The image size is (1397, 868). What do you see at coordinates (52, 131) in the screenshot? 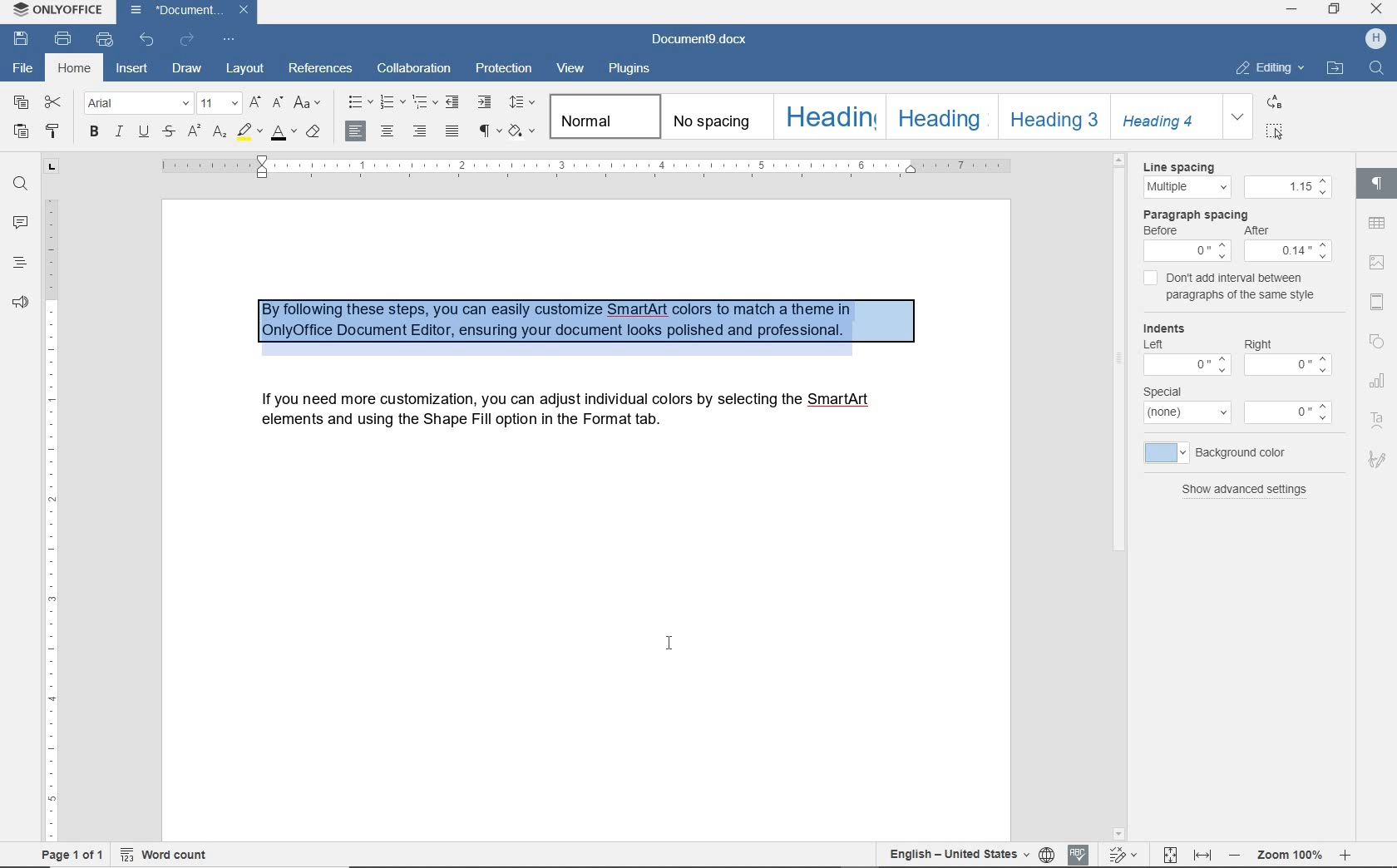
I see `copy style` at bounding box center [52, 131].